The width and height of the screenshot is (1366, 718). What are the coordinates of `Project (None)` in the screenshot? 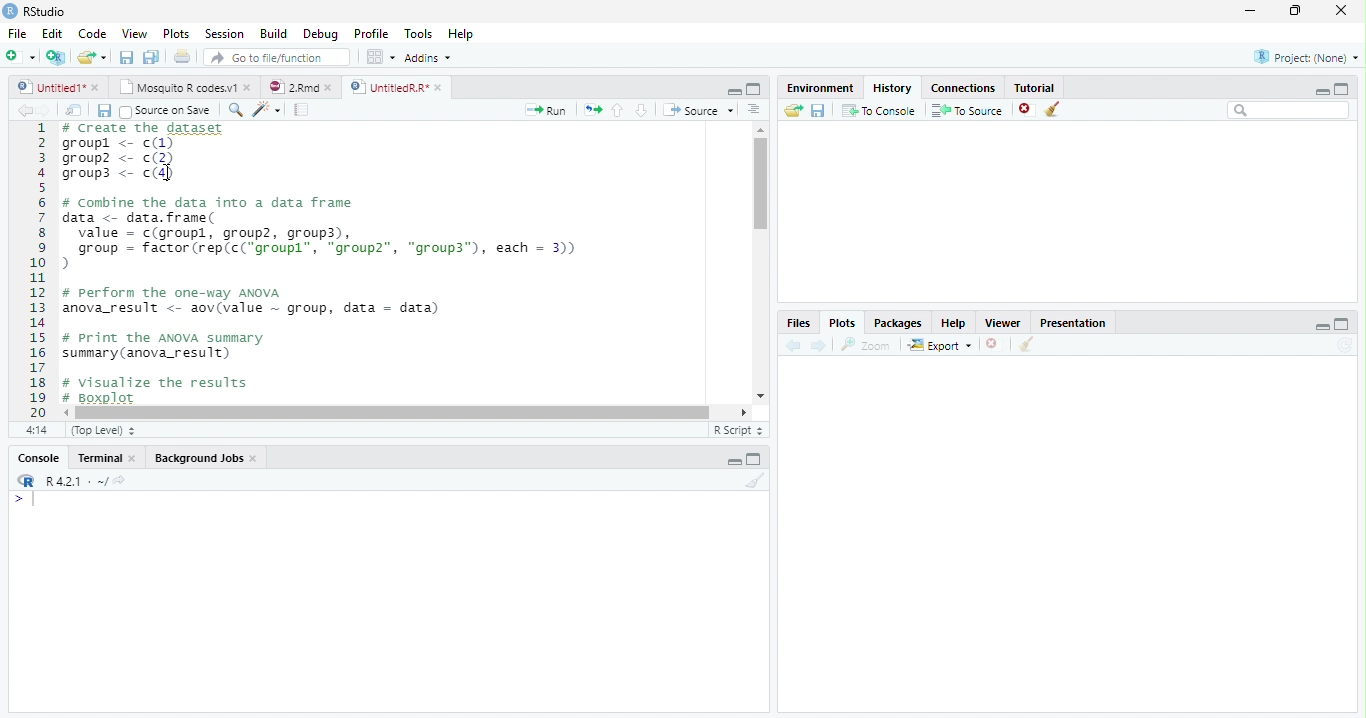 It's located at (1305, 57).